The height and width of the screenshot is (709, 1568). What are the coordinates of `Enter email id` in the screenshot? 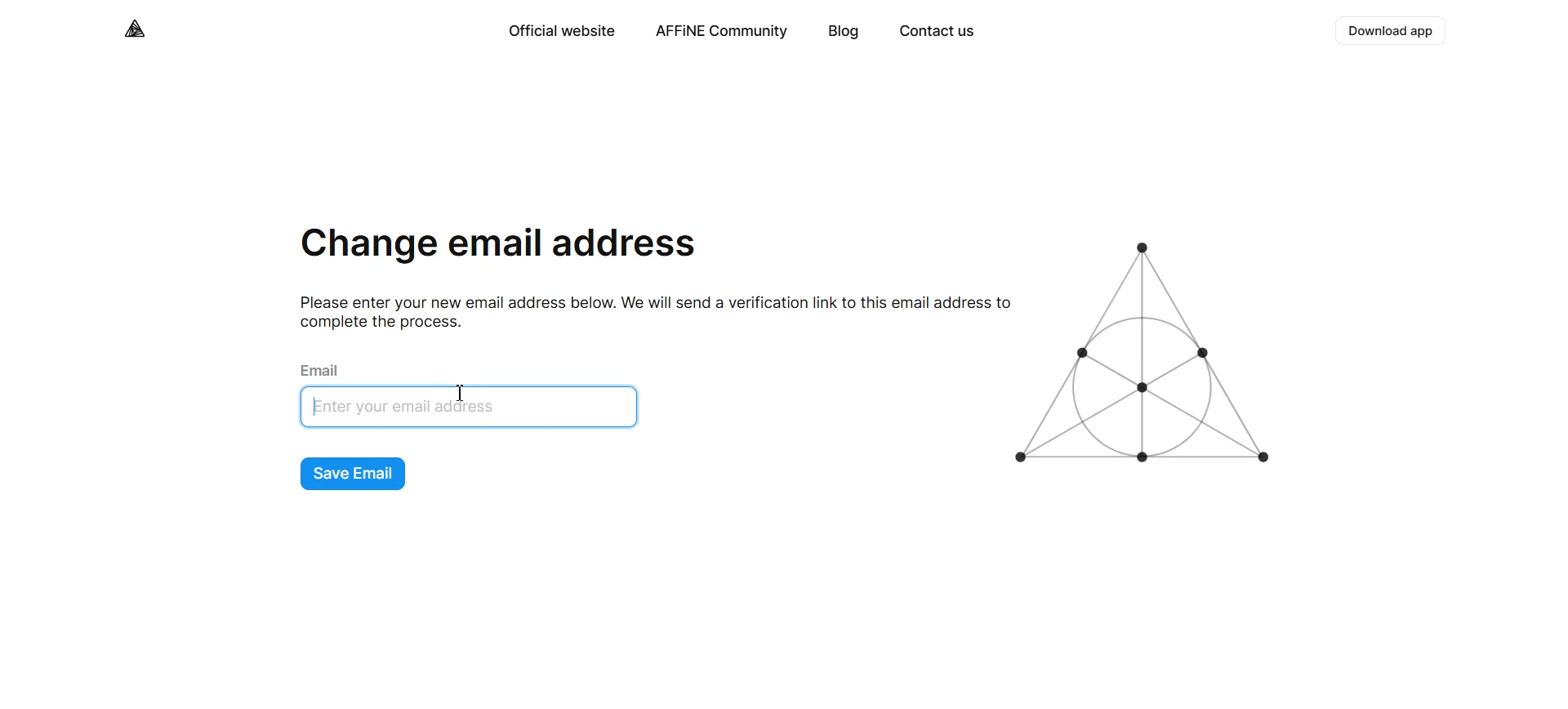 It's located at (475, 408).